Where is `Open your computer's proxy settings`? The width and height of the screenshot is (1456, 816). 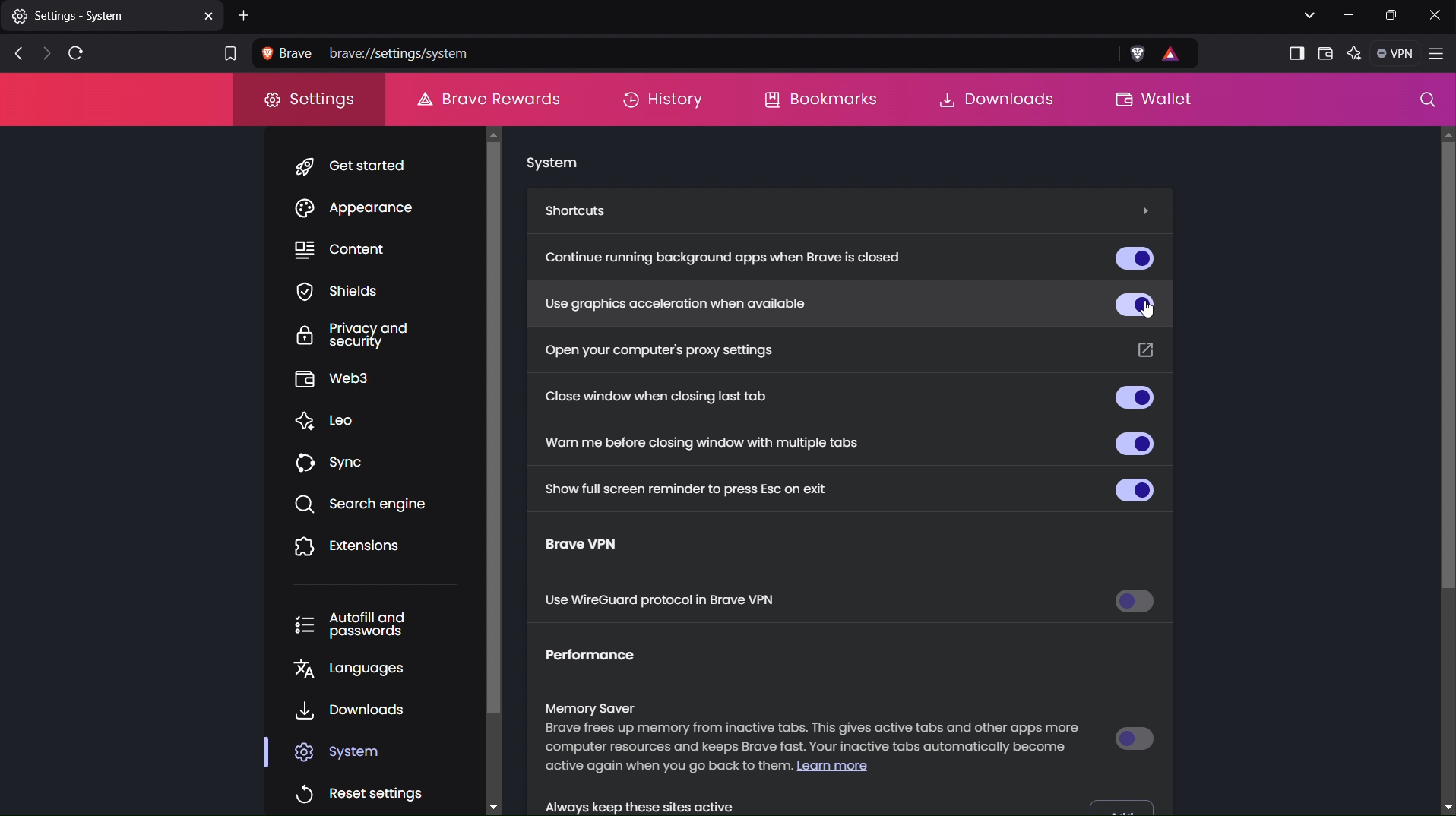 Open your computer's proxy settings is located at coordinates (660, 349).